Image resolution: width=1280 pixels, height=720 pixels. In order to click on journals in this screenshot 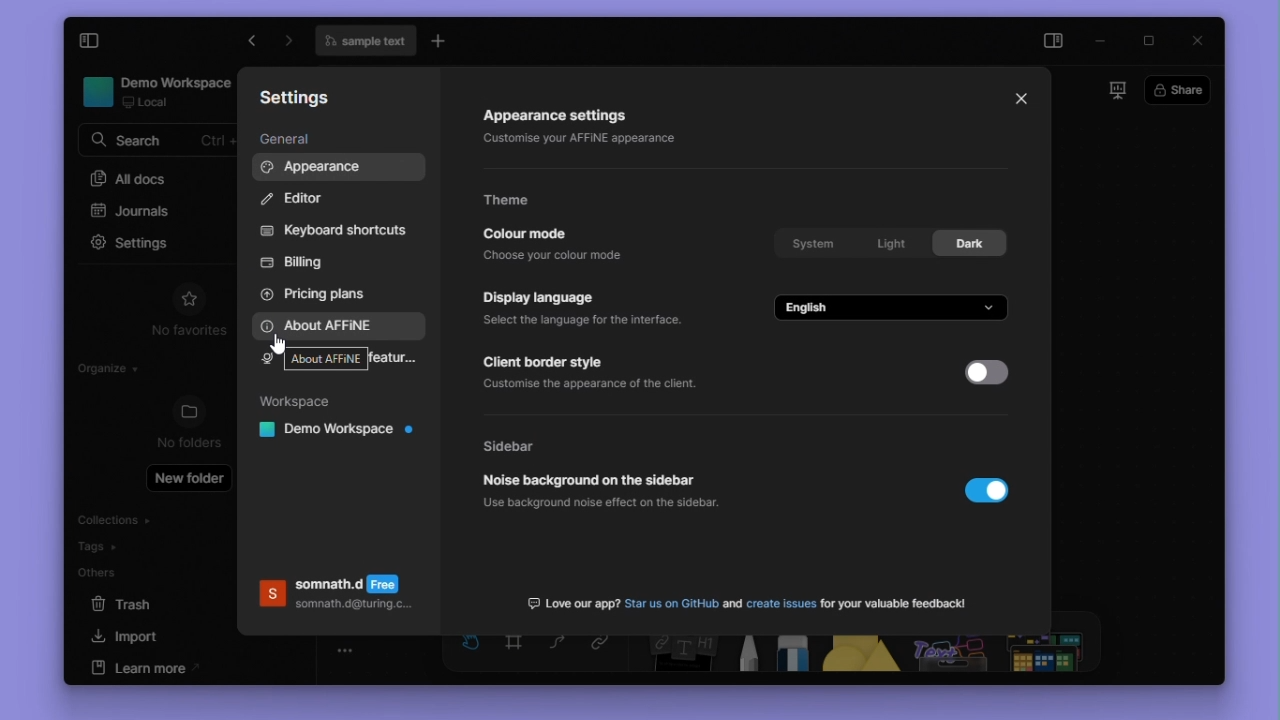, I will do `click(152, 212)`.